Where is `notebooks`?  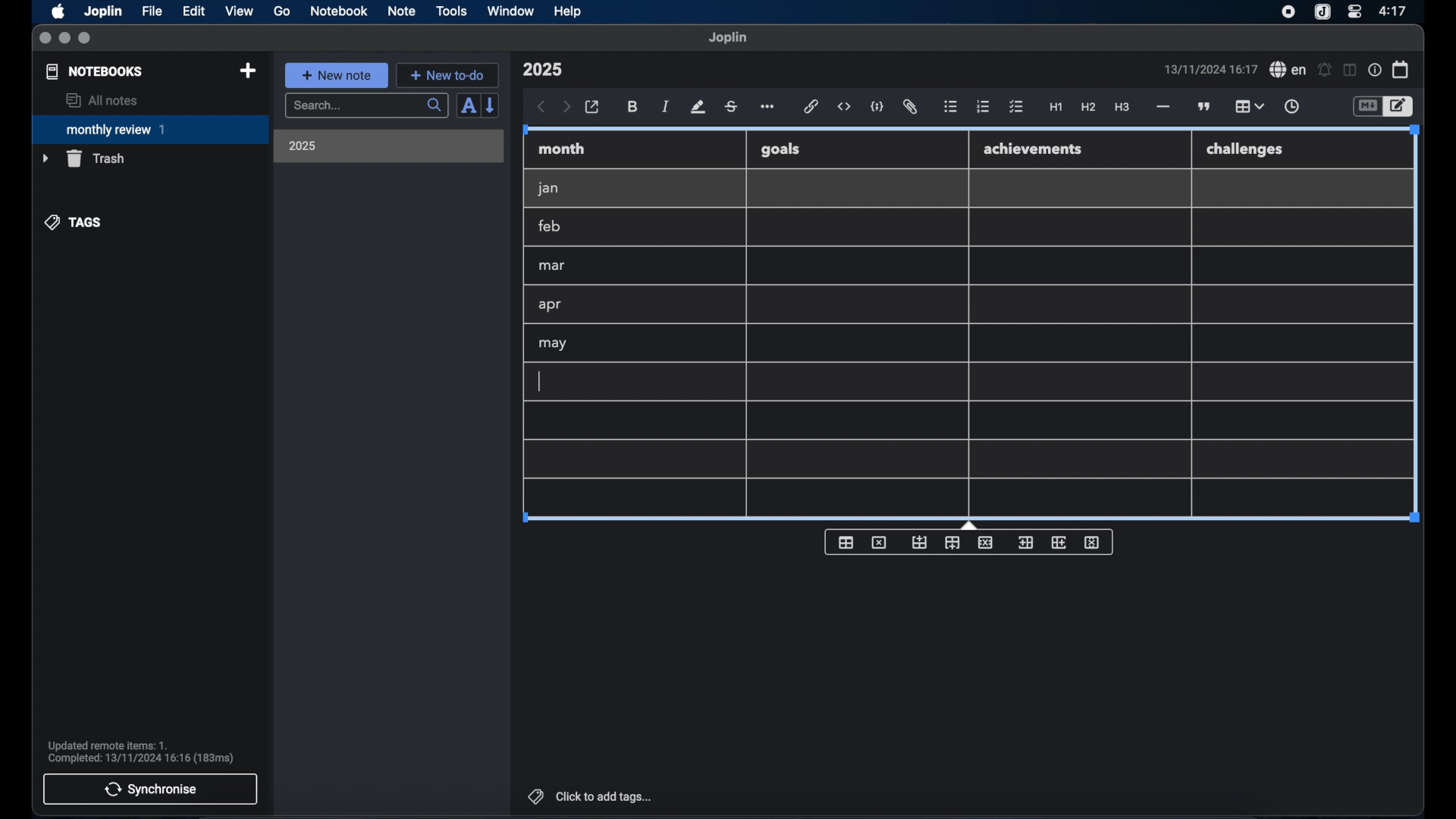
notebooks is located at coordinates (95, 71).